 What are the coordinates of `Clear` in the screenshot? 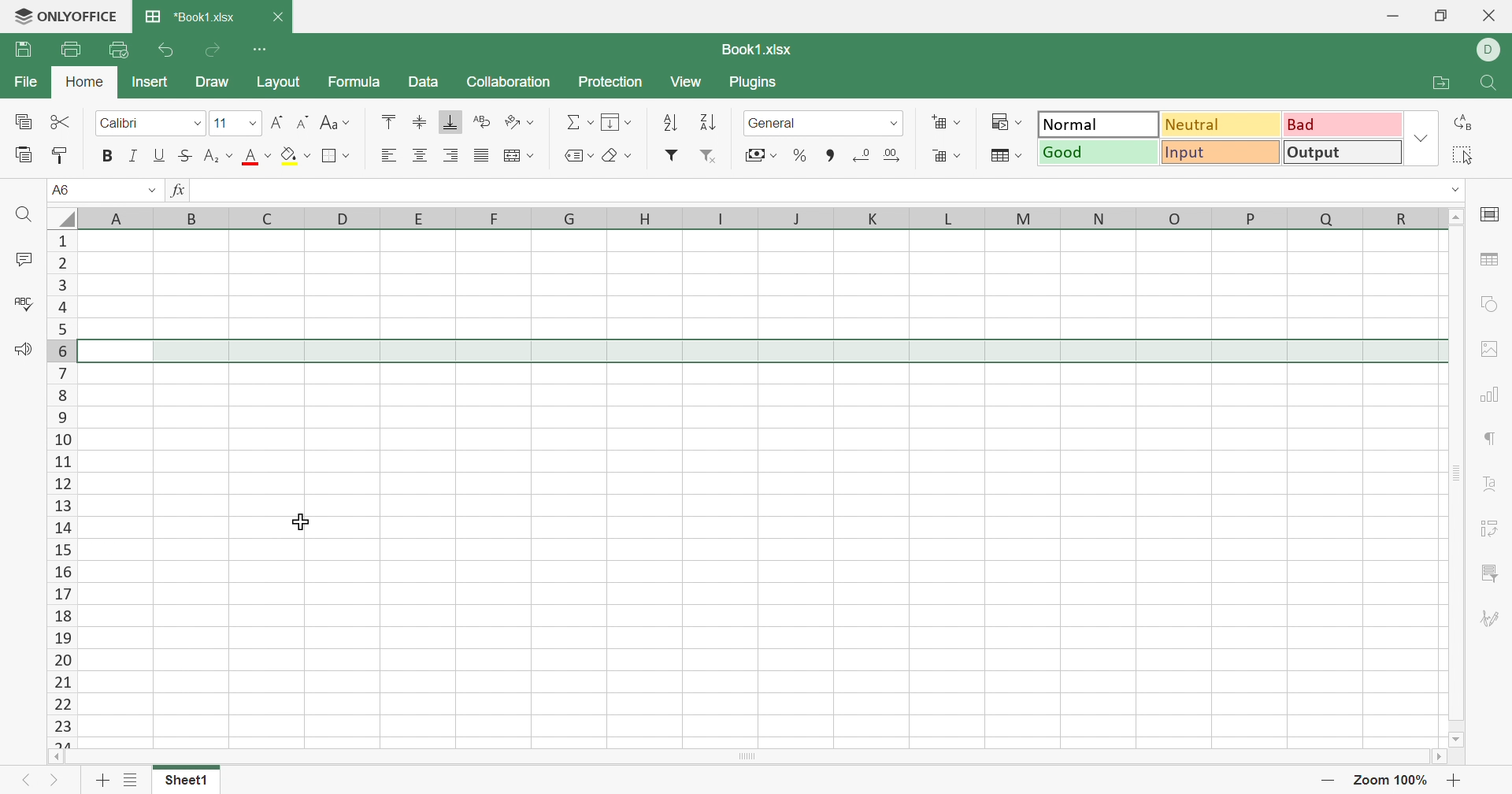 It's located at (620, 156).